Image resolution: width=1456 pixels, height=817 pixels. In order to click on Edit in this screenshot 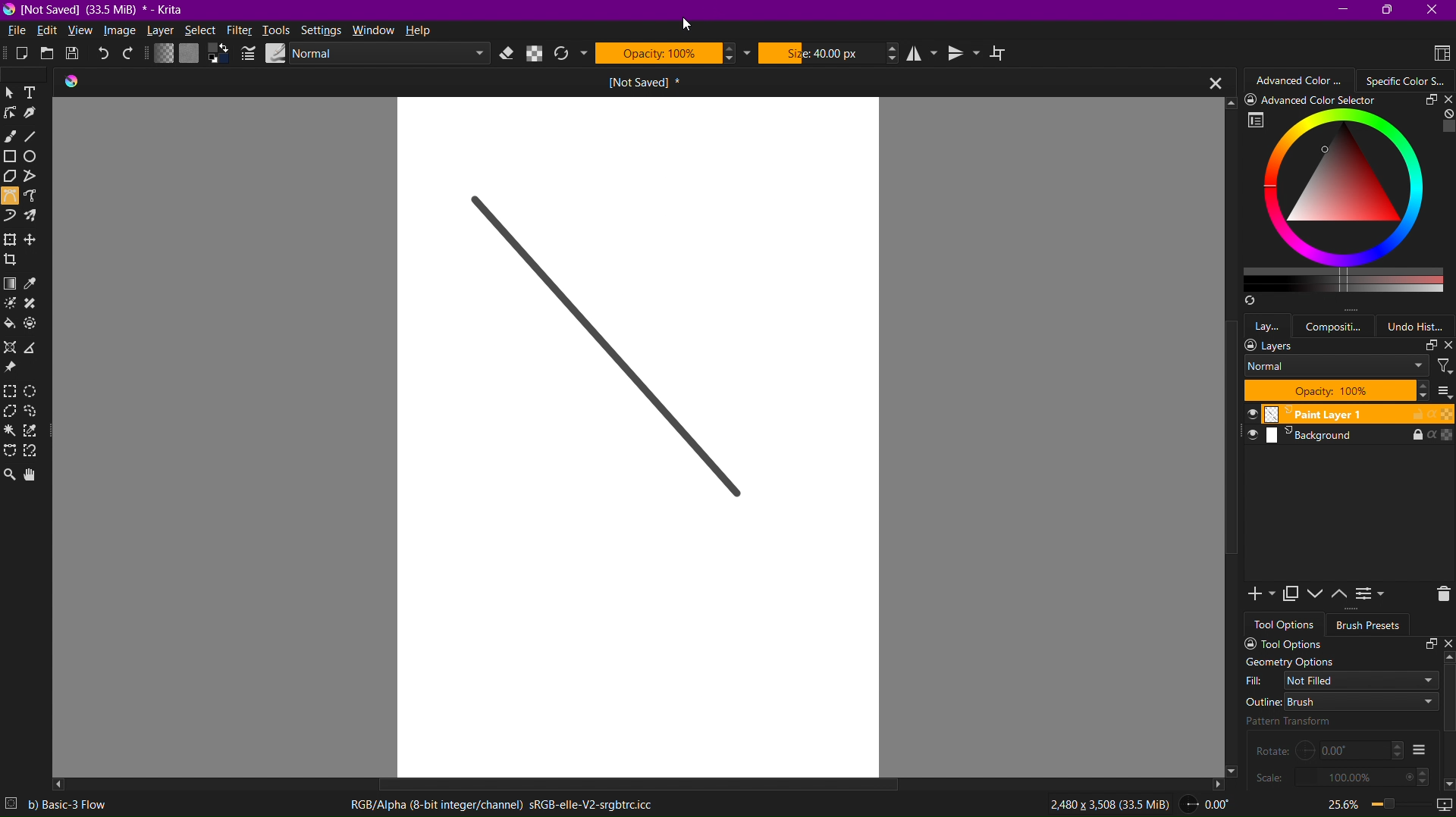, I will do `click(50, 30)`.